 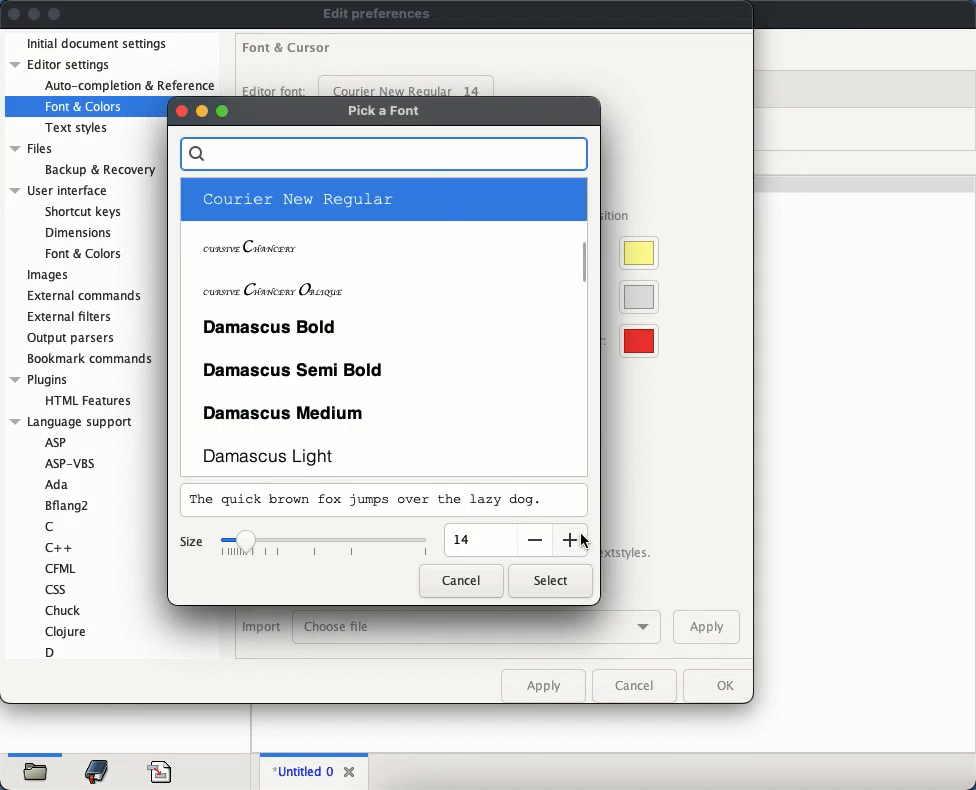 What do you see at coordinates (55, 15) in the screenshot?
I see `maximize` at bounding box center [55, 15].